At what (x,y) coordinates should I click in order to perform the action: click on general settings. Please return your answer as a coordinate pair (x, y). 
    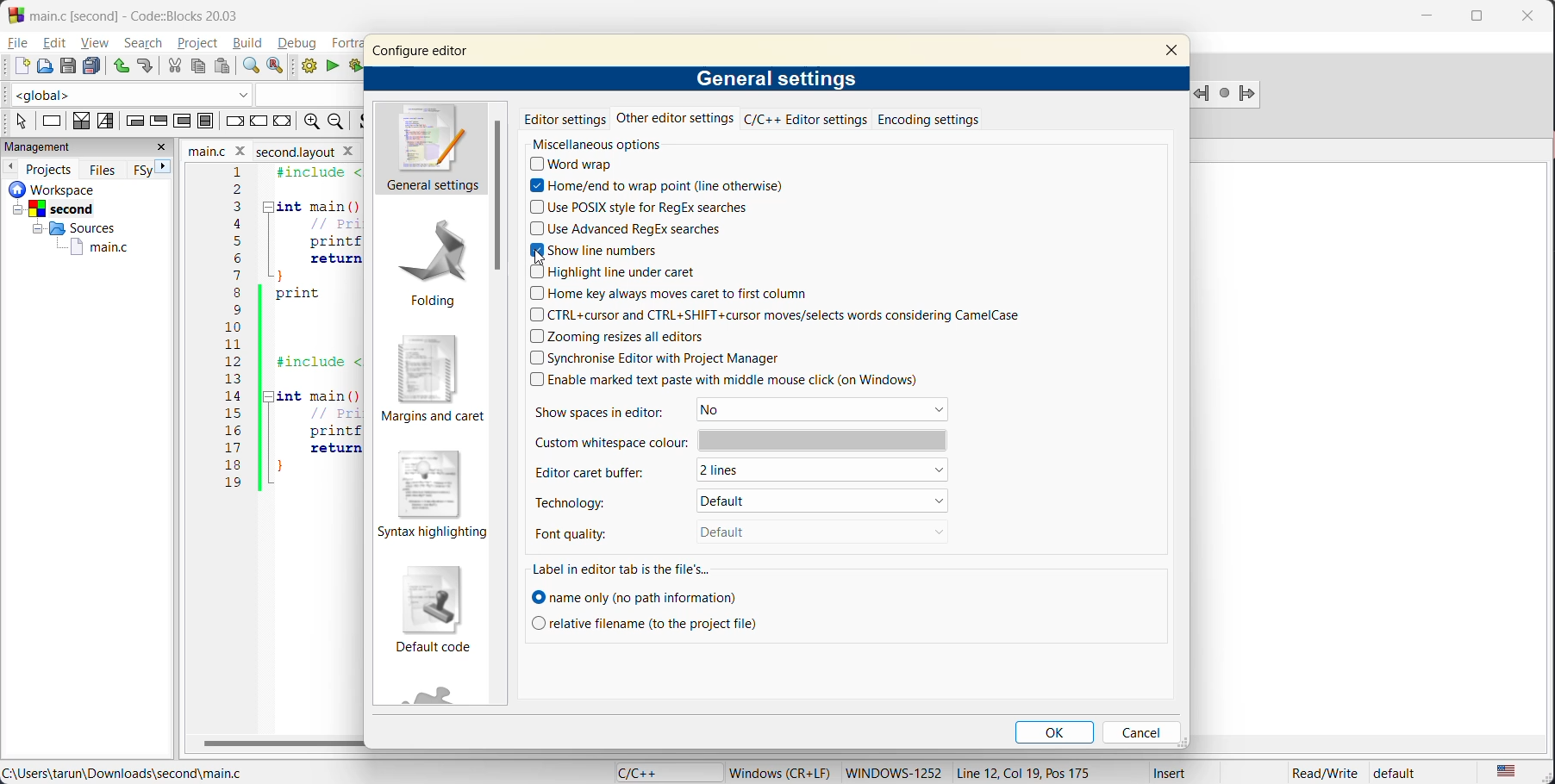
    Looking at the image, I should click on (433, 150).